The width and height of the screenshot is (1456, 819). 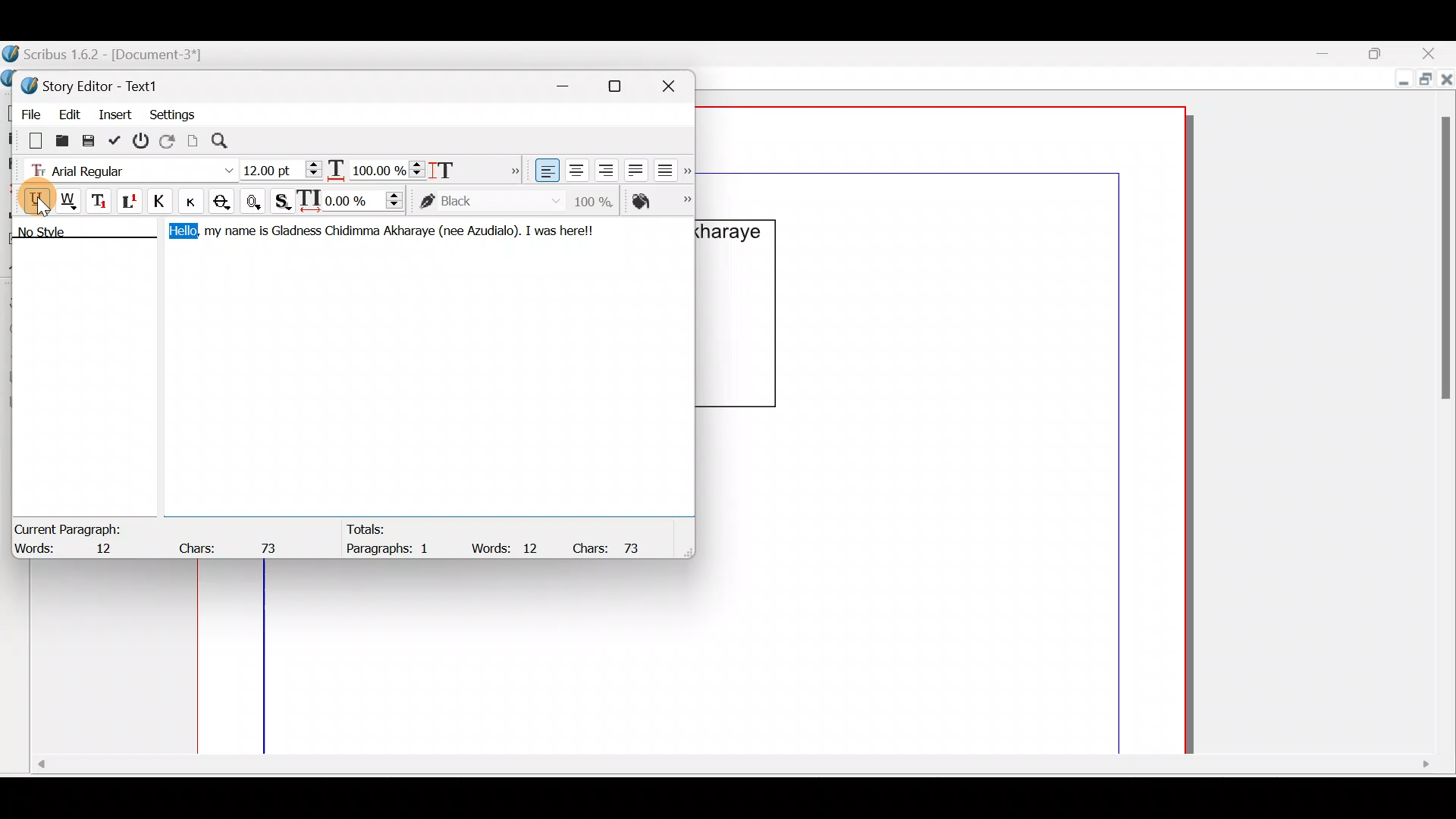 I want to click on All caps, so click(x=163, y=203).